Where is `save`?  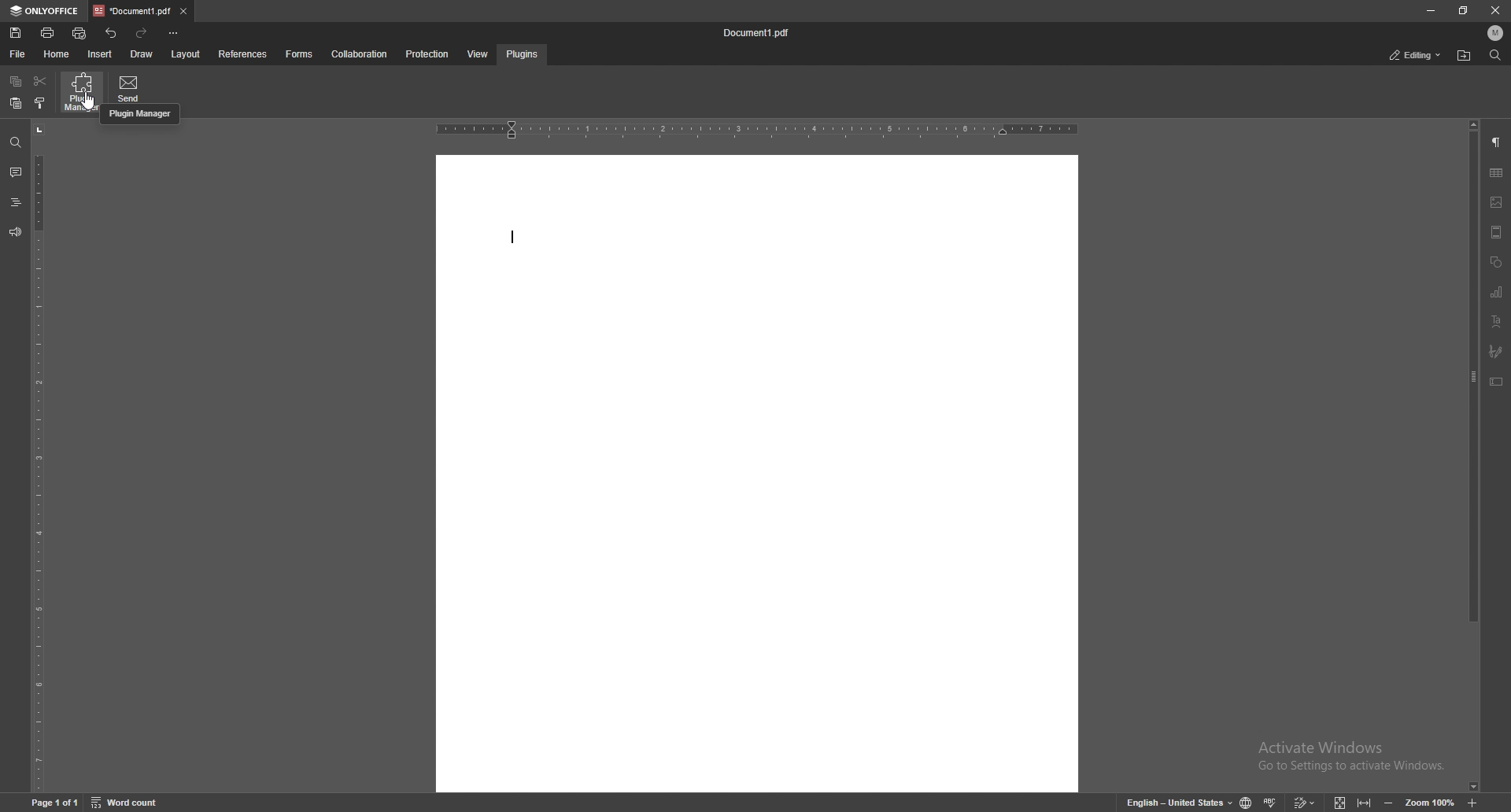
save is located at coordinates (16, 33).